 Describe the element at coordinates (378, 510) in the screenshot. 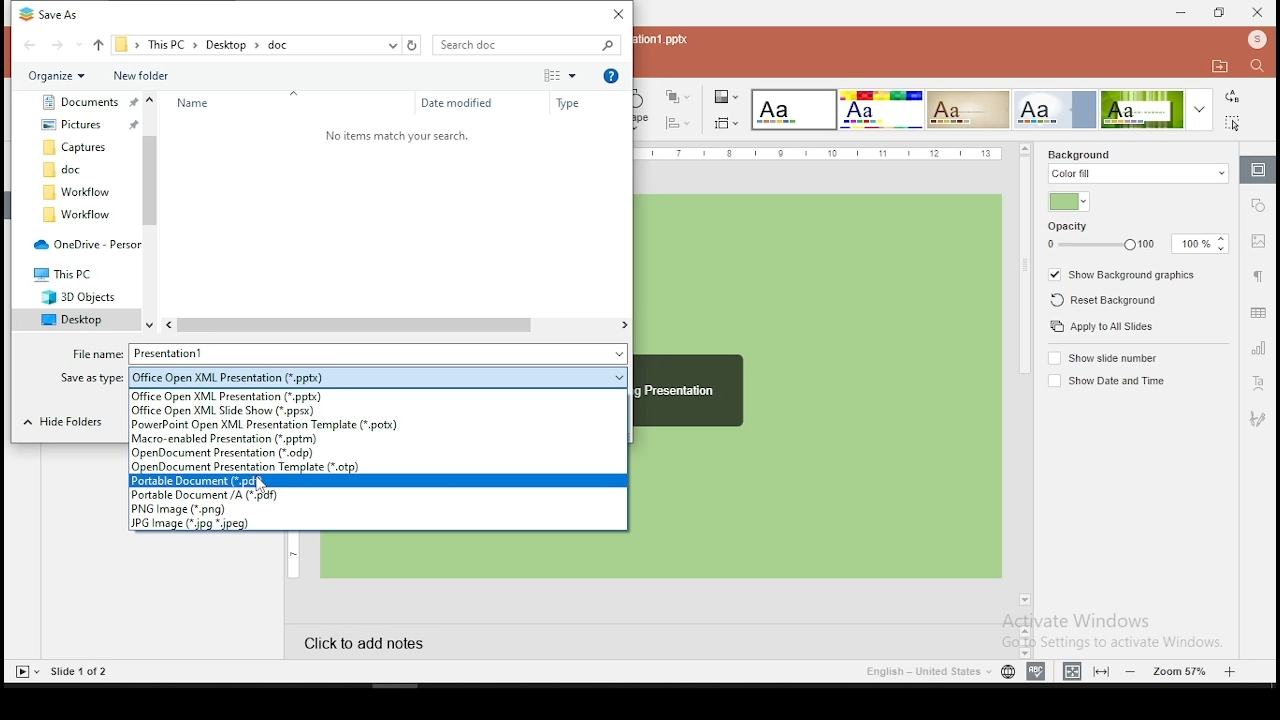

I see `png image` at that location.